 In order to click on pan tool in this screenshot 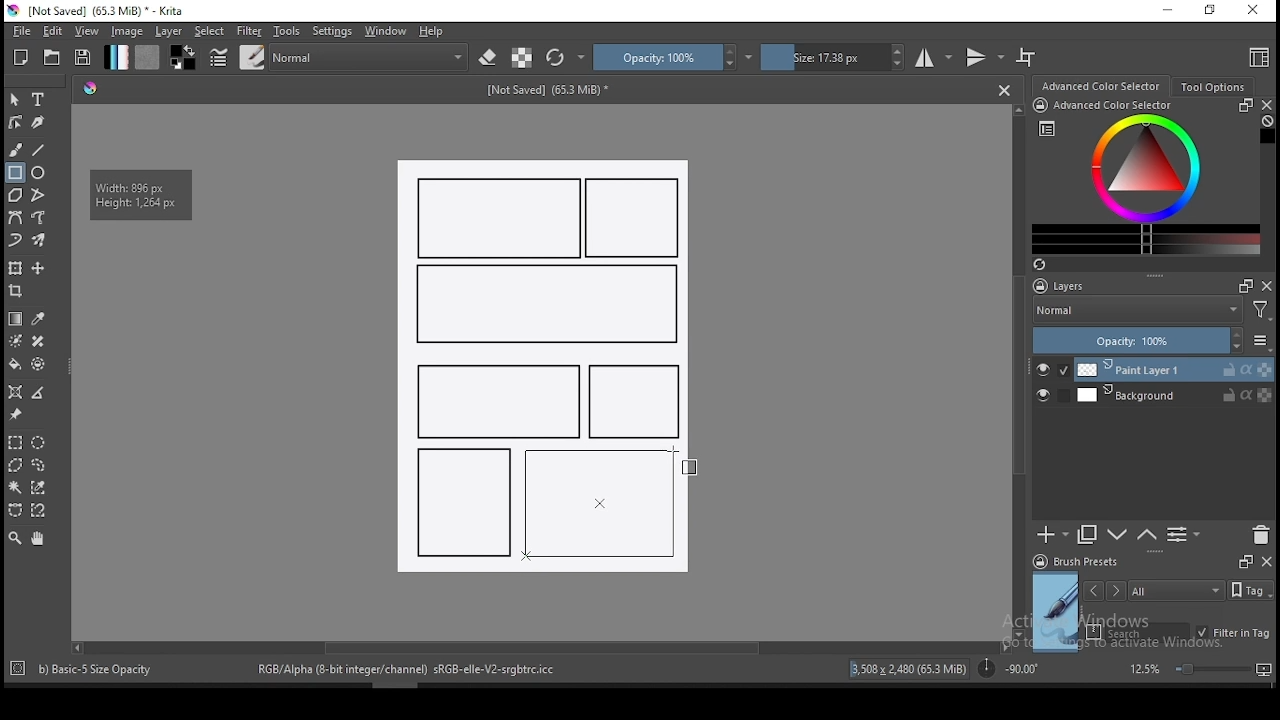, I will do `click(36, 539)`.